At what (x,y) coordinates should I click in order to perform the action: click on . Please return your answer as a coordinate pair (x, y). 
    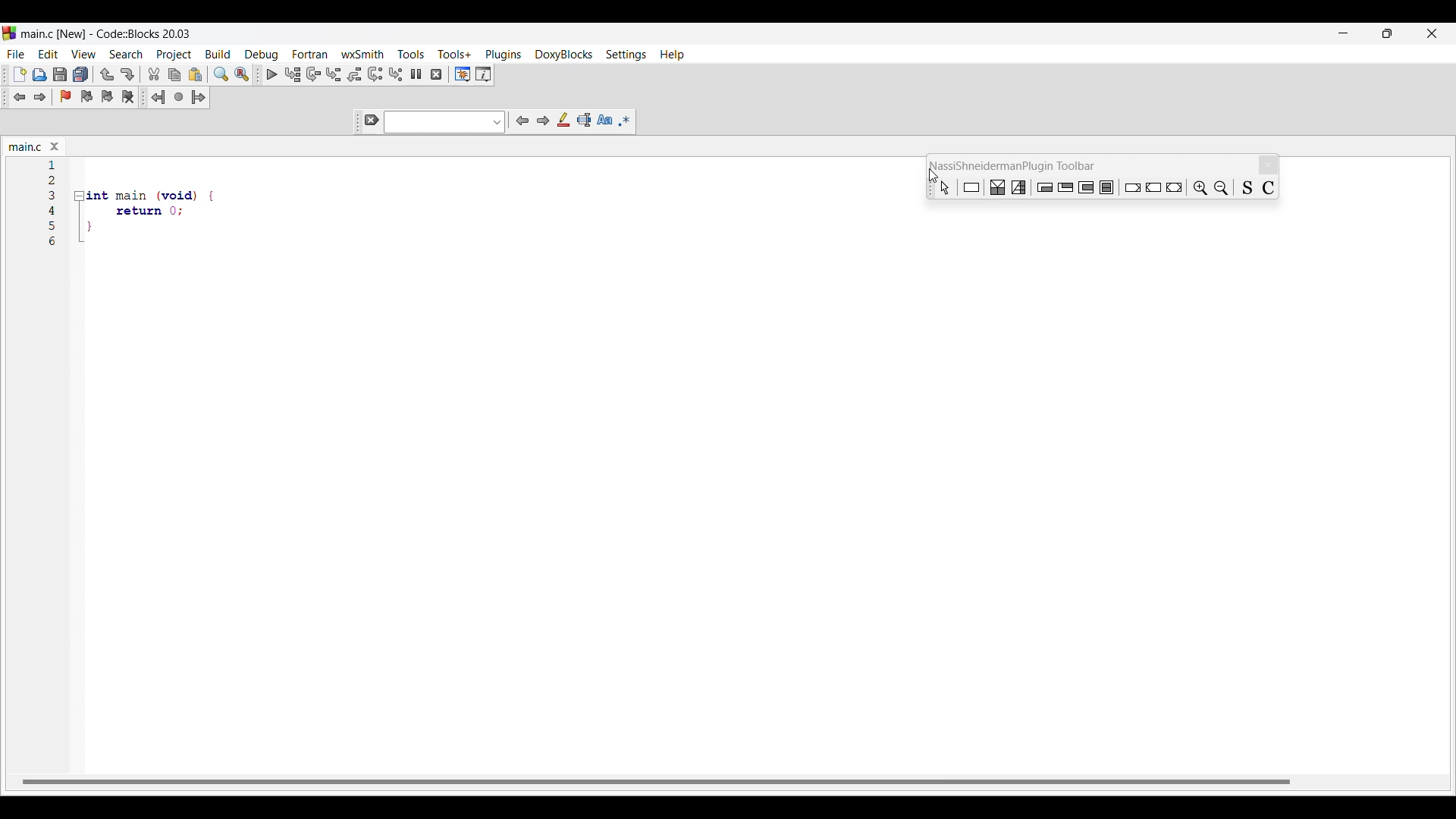
    Looking at the image, I should click on (54, 225).